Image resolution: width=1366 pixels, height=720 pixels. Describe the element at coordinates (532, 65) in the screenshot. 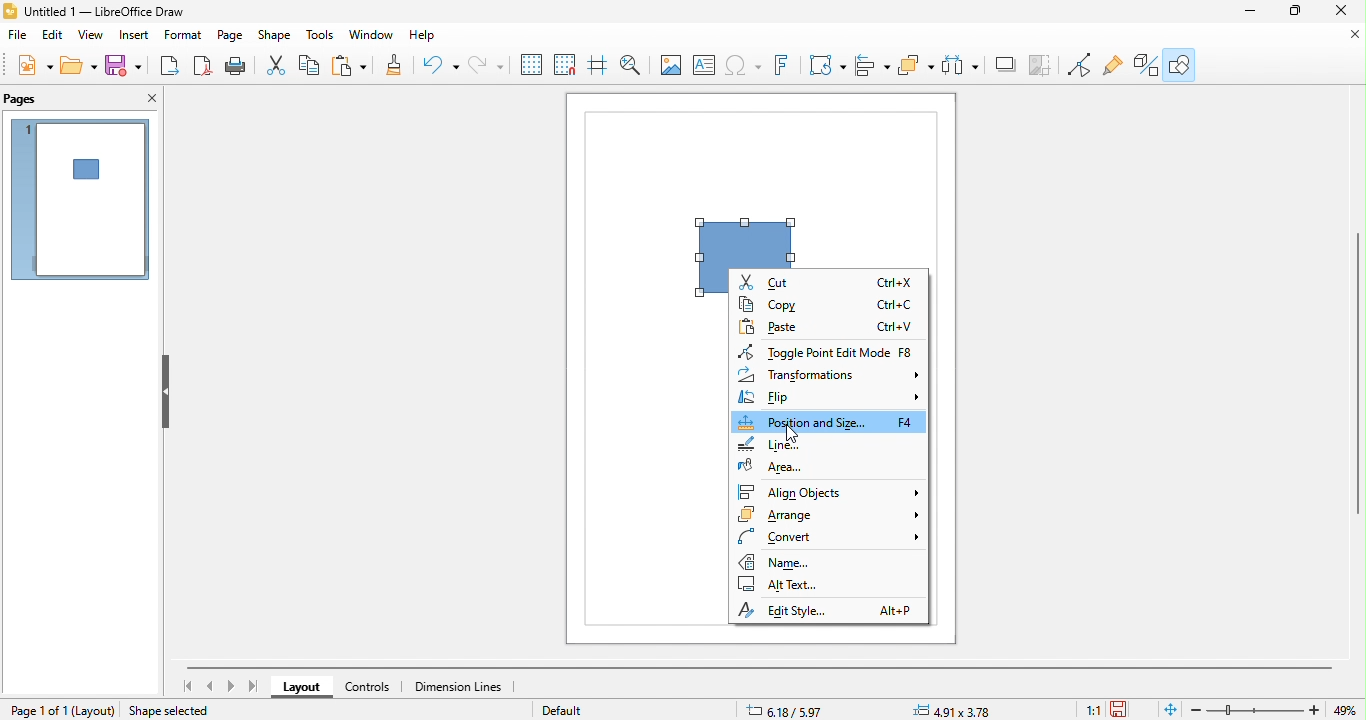

I see `display grid` at that location.